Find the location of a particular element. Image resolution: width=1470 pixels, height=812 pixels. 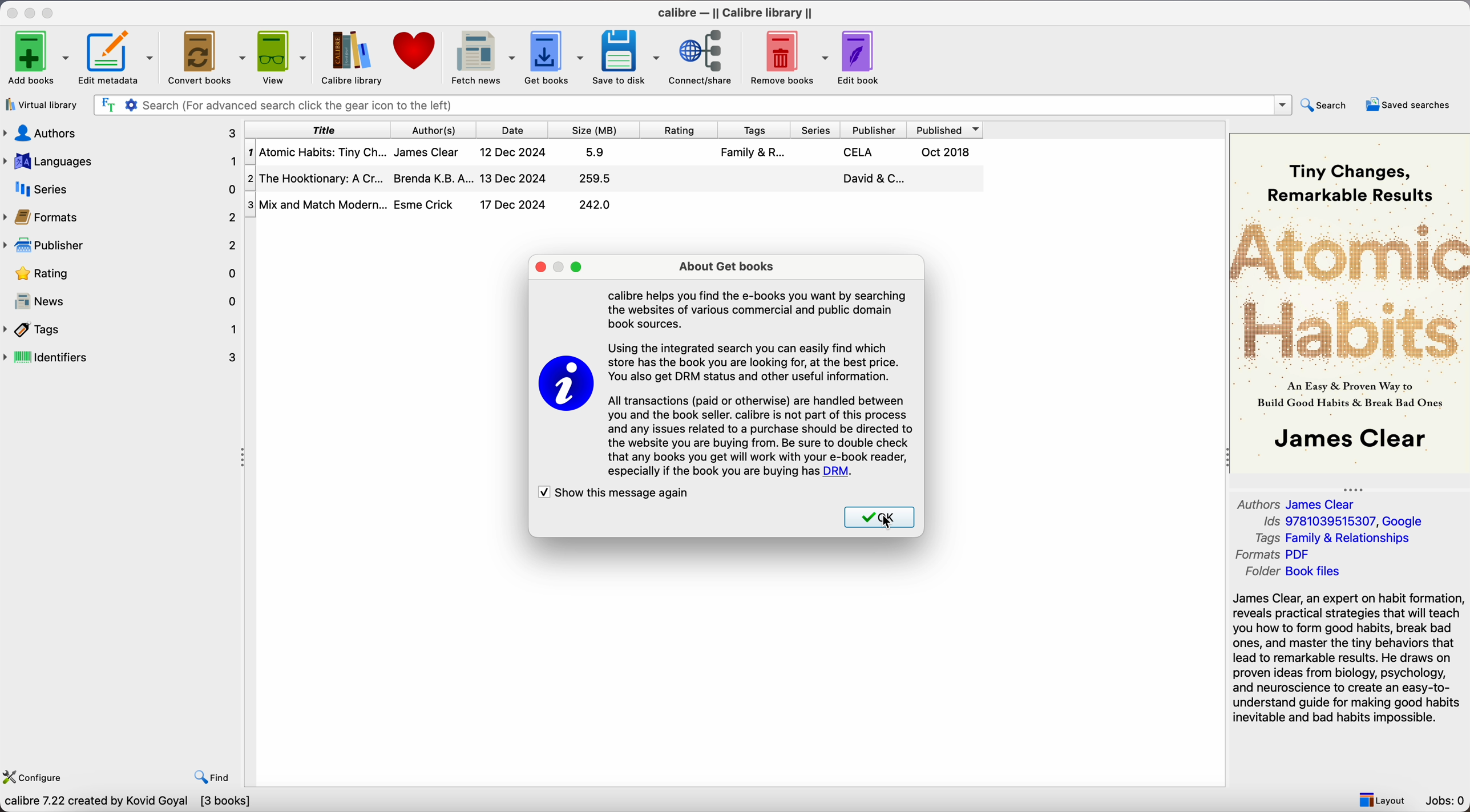

news is located at coordinates (123, 302).